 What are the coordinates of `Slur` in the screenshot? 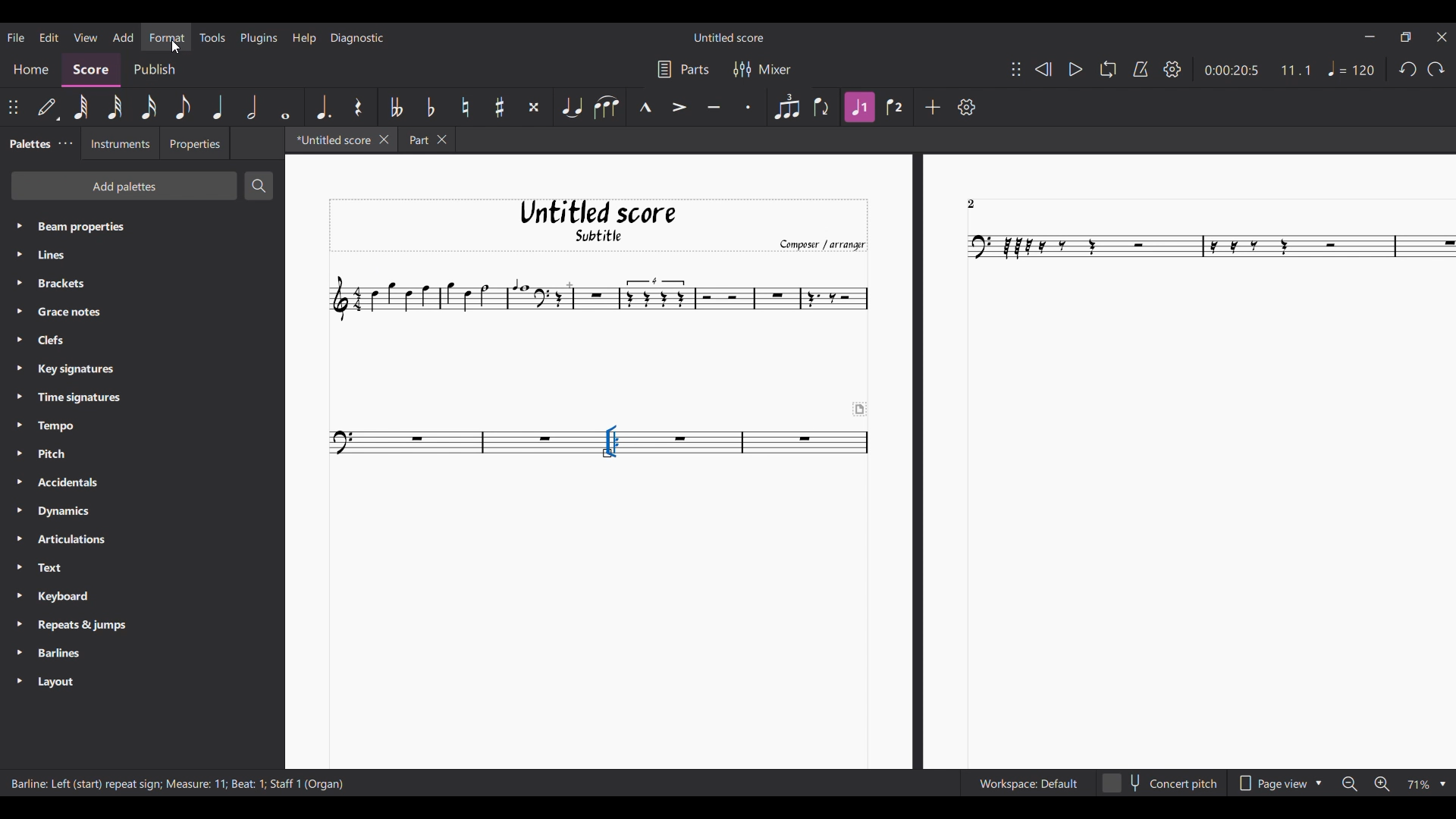 It's located at (606, 107).